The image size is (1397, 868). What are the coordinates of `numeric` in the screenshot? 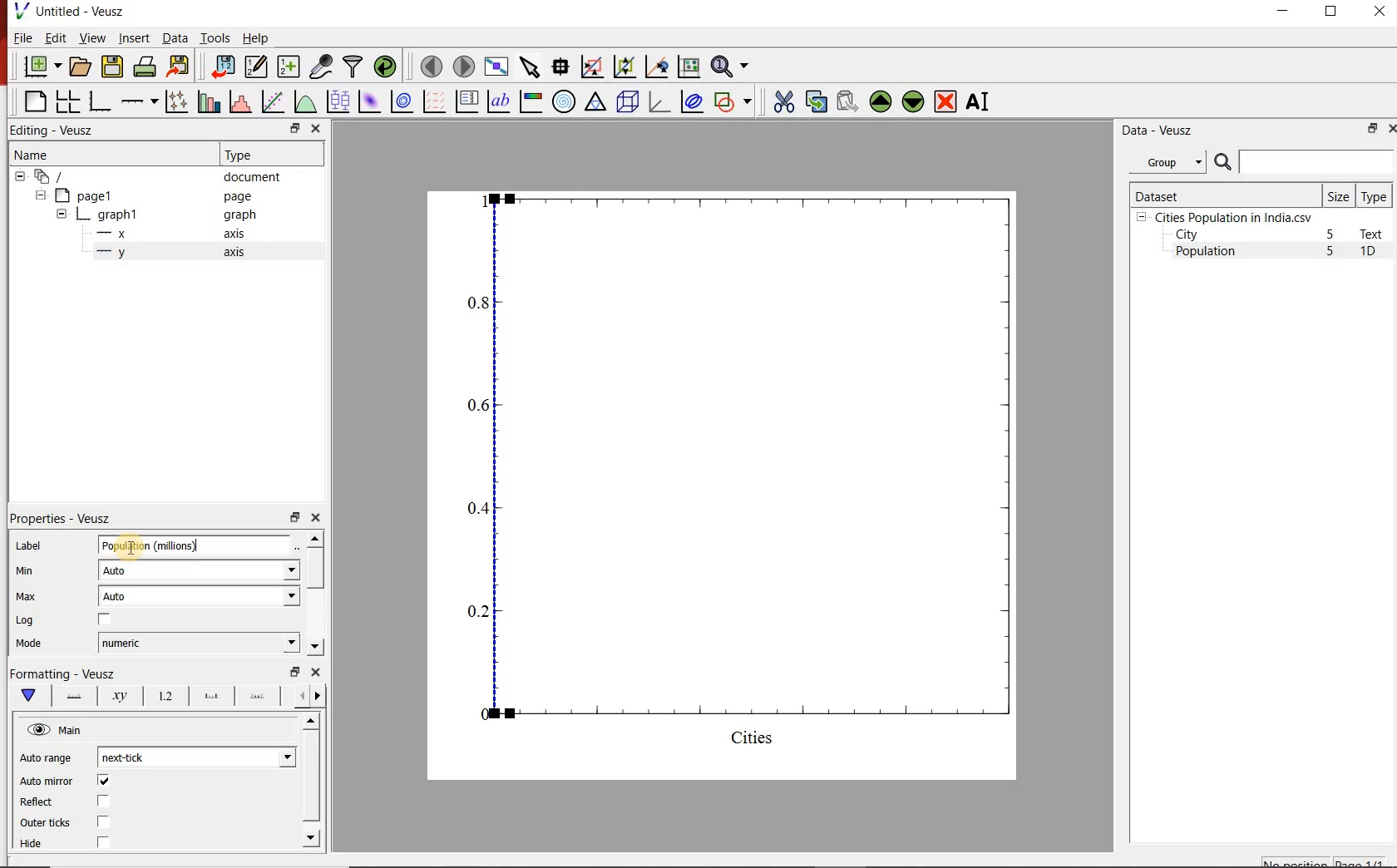 It's located at (198, 643).